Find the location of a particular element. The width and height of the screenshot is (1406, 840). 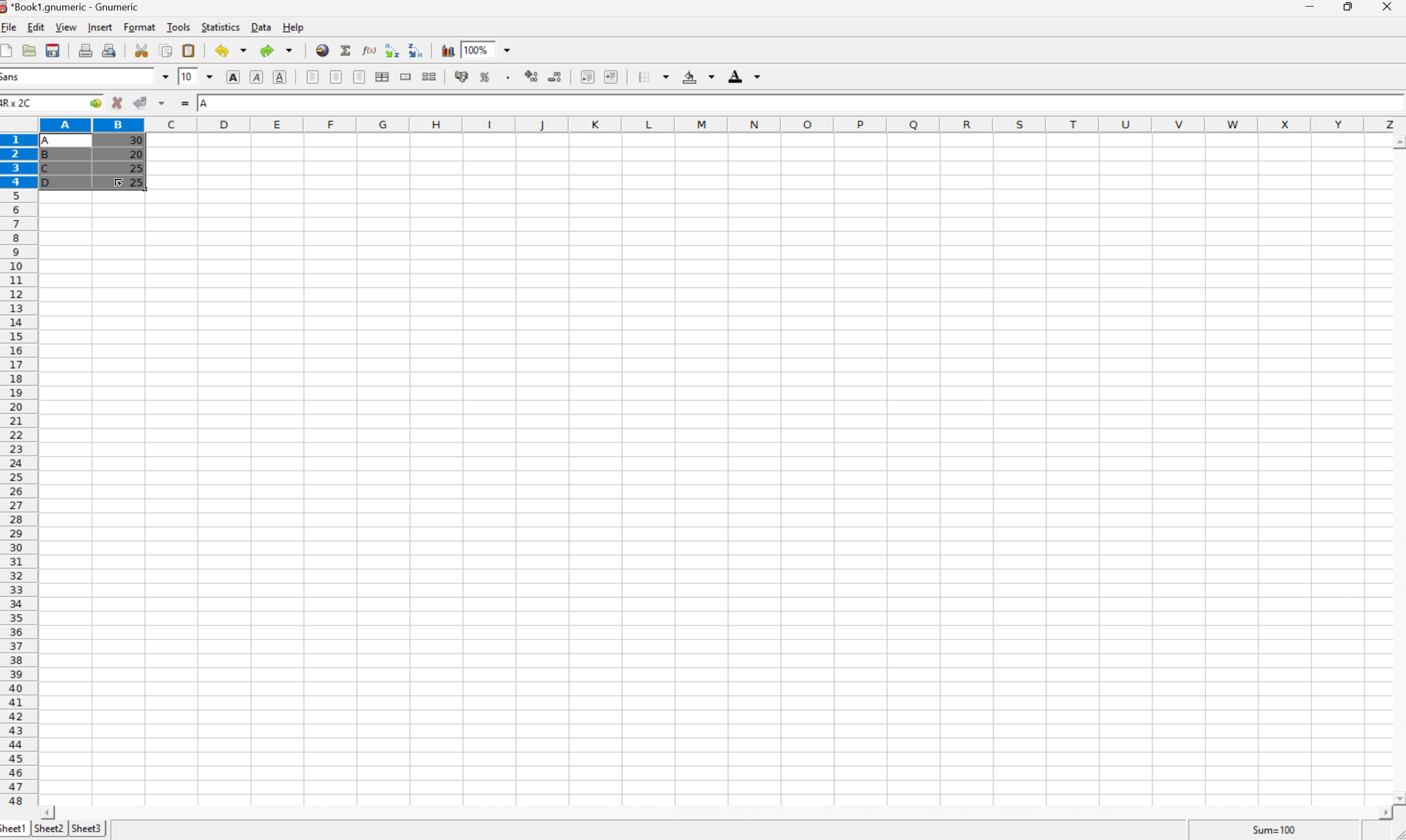

Undo is located at coordinates (230, 50).